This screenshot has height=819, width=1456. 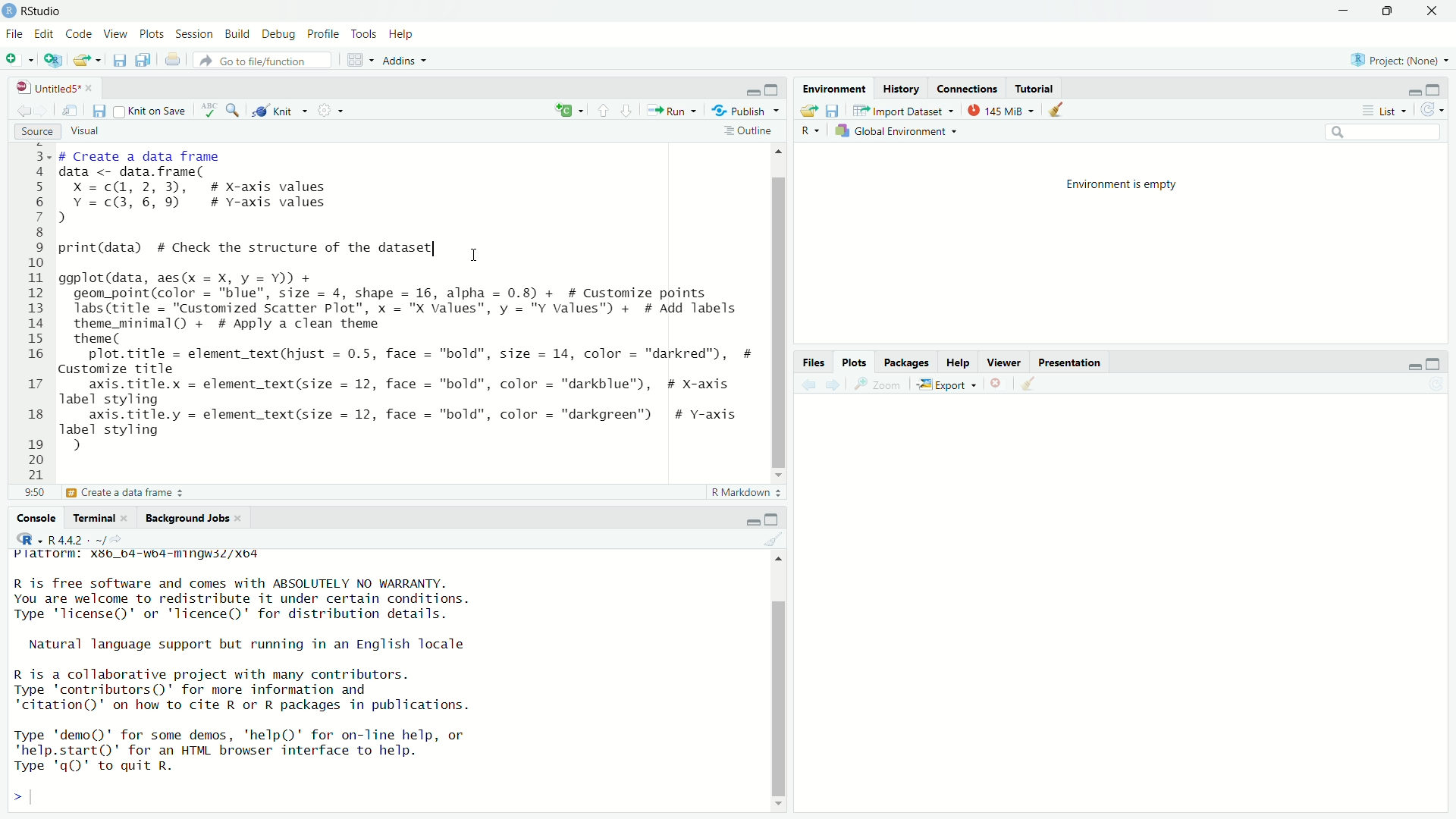 I want to click on R 4.4.2 , so click(x=67, y=537).